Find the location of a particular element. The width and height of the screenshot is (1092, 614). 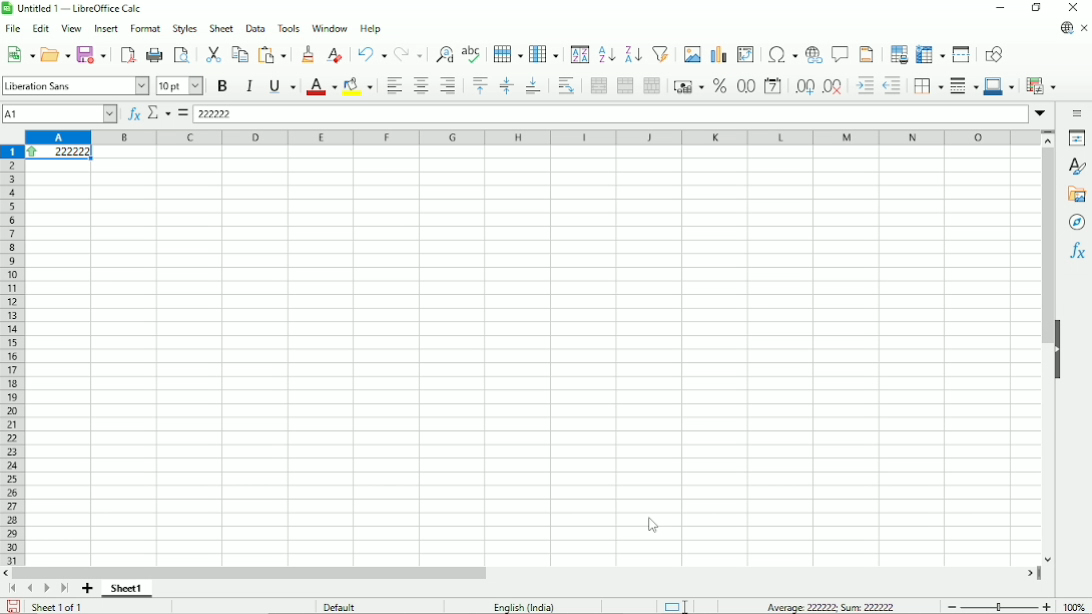

Insert is located at coordinates (104, 29).